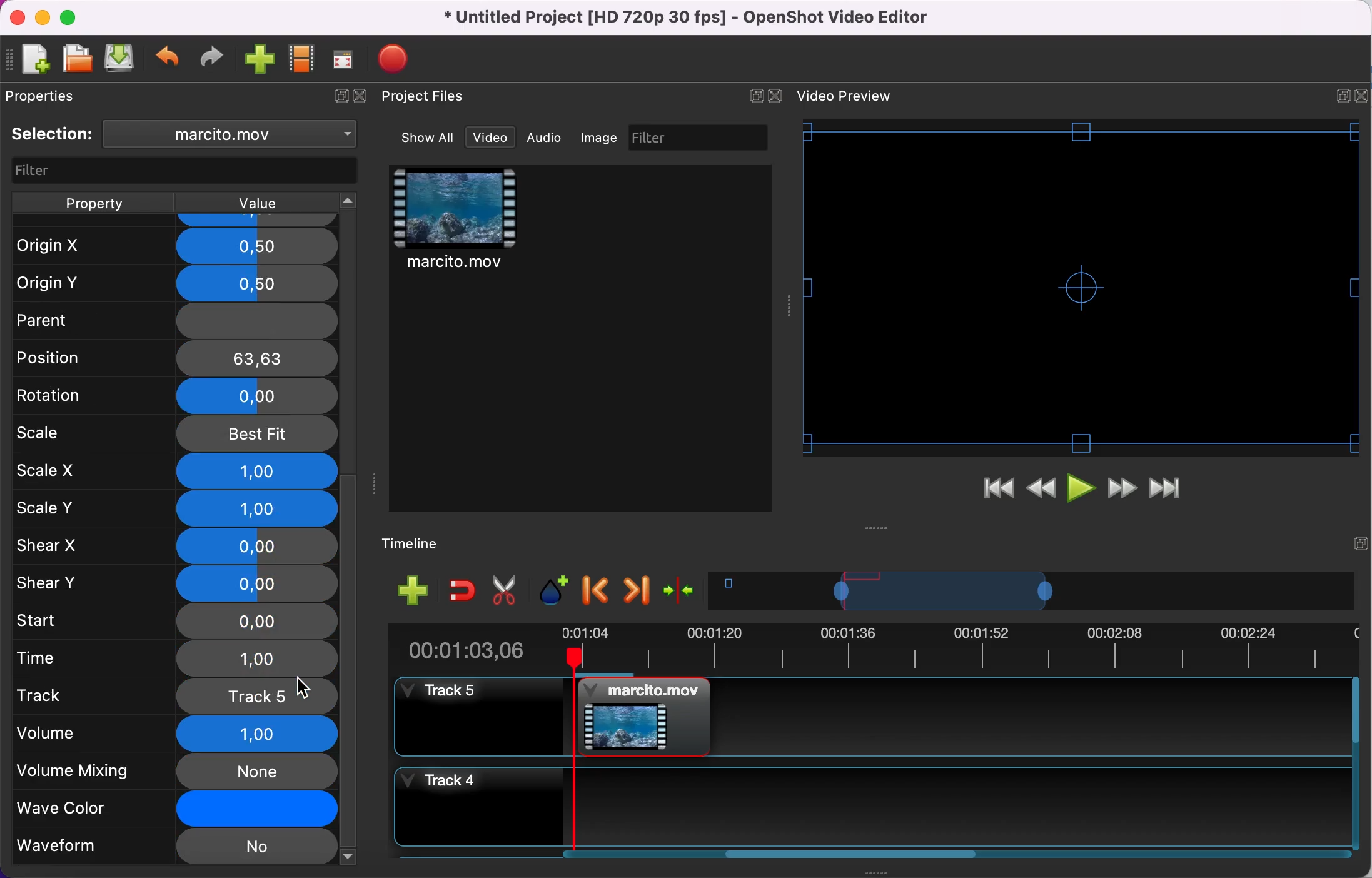  Describe the element at coordinates (178, 357) in the screenshot. I see `position 63, 63` at that location.